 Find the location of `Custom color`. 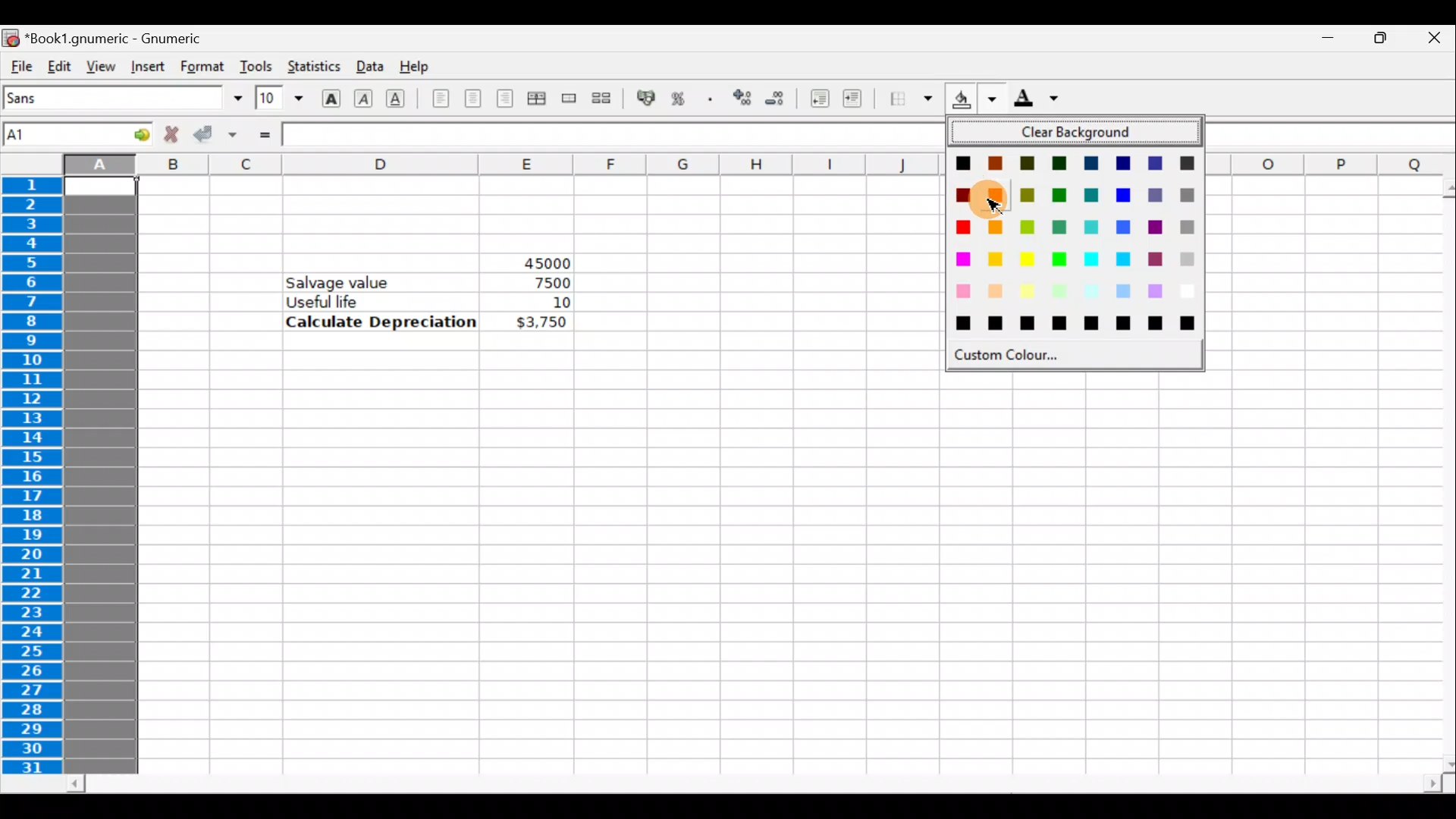

Custom color is located at coordinates (1022, 355).